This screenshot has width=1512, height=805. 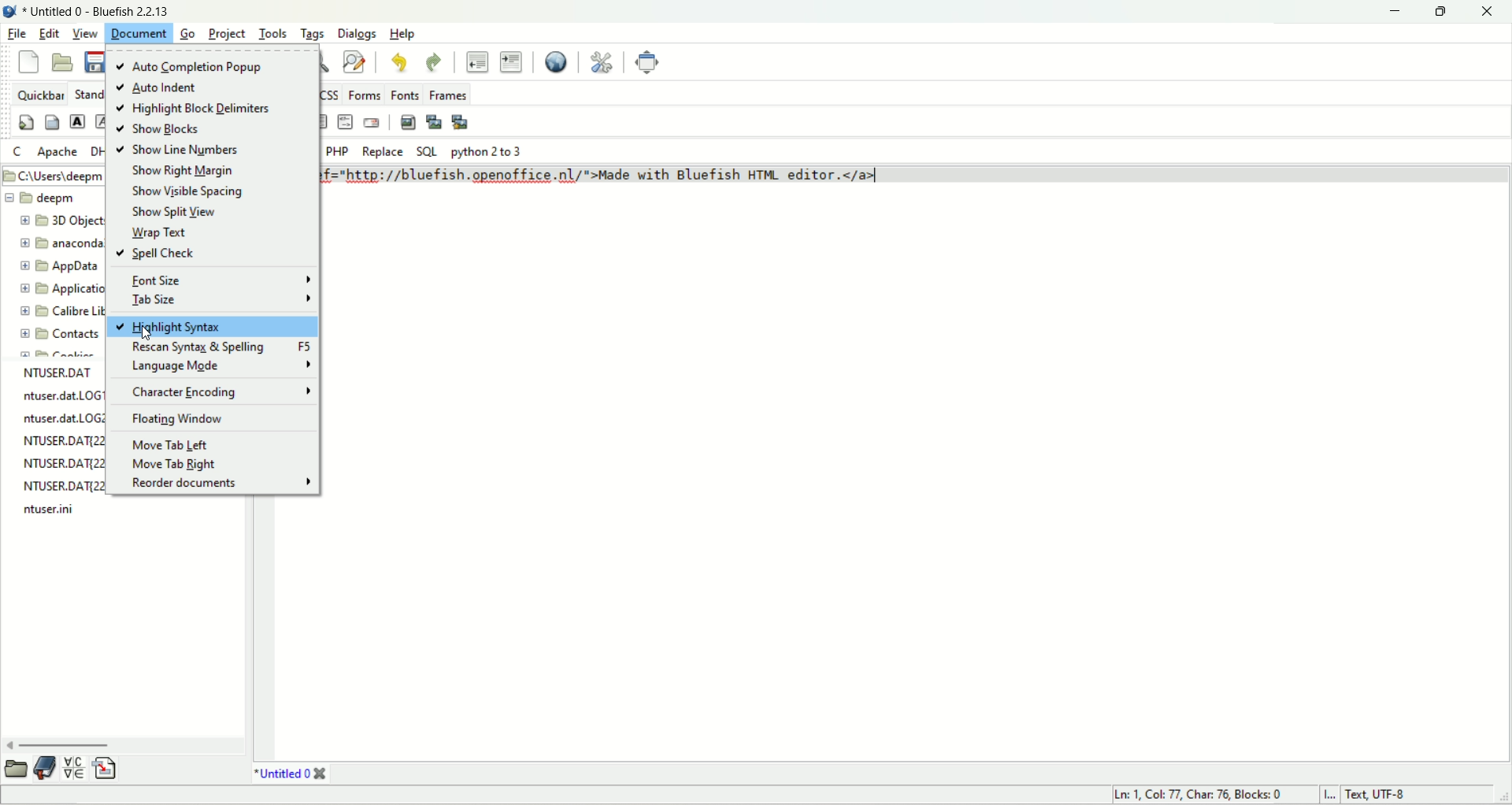 I want to click on I, so click(x=1331, y=796).